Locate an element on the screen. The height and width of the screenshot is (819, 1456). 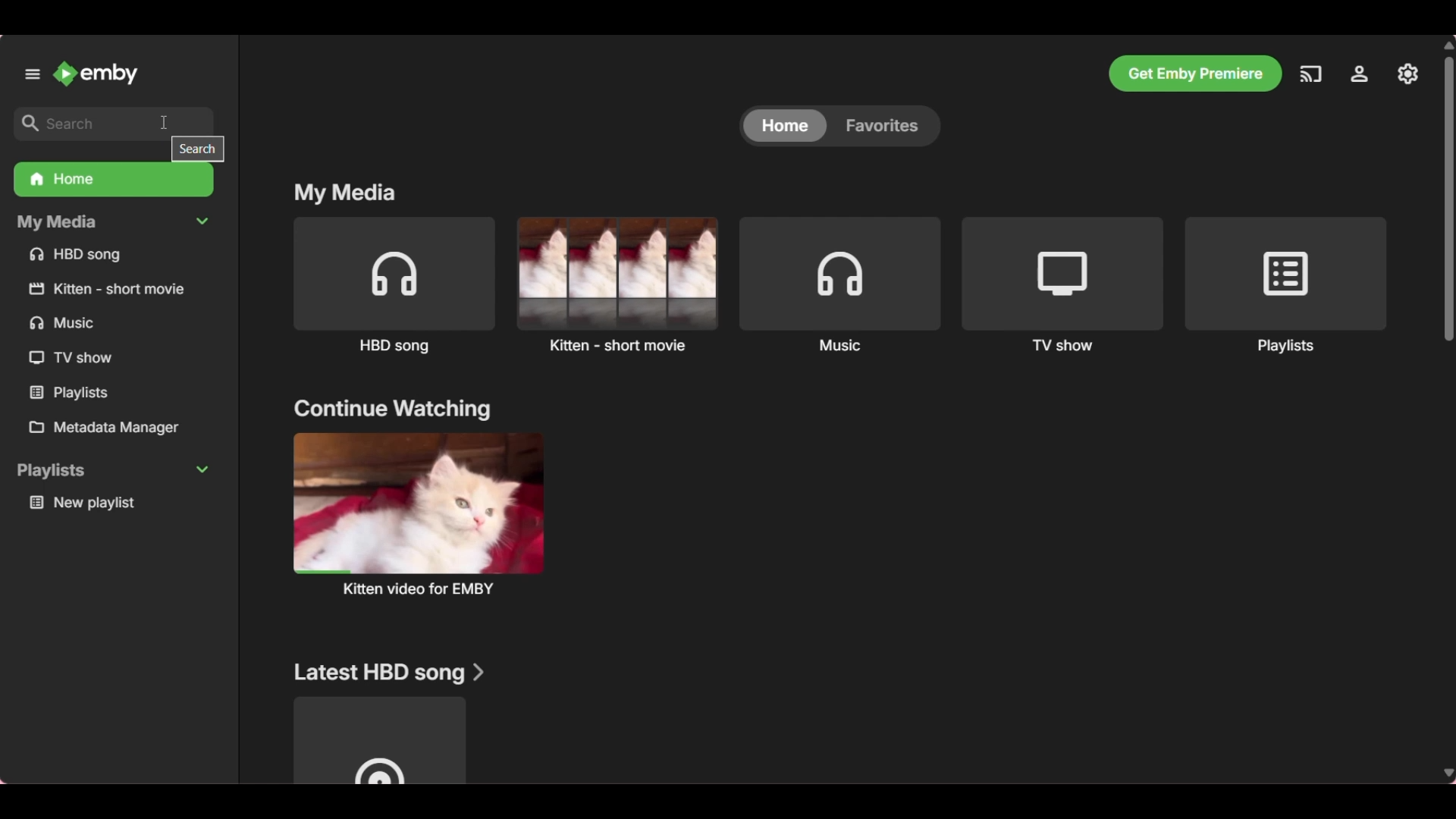
cursor is located at coordinates (165, 119).